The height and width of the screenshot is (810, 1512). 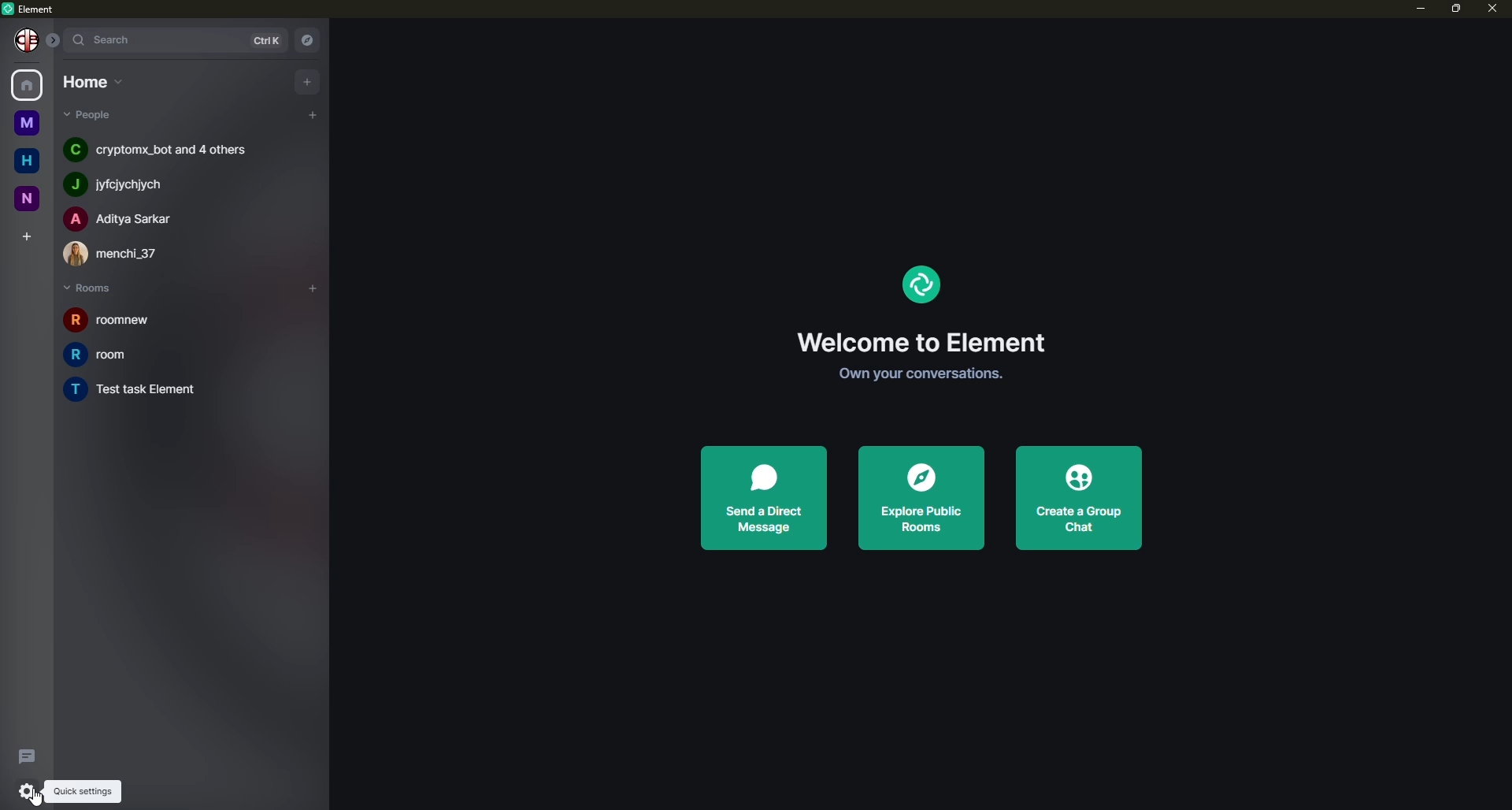 What do you see at coordinates (763, 496) in the screenshot?
I see `send direct message` at bounding box center [763, 496].